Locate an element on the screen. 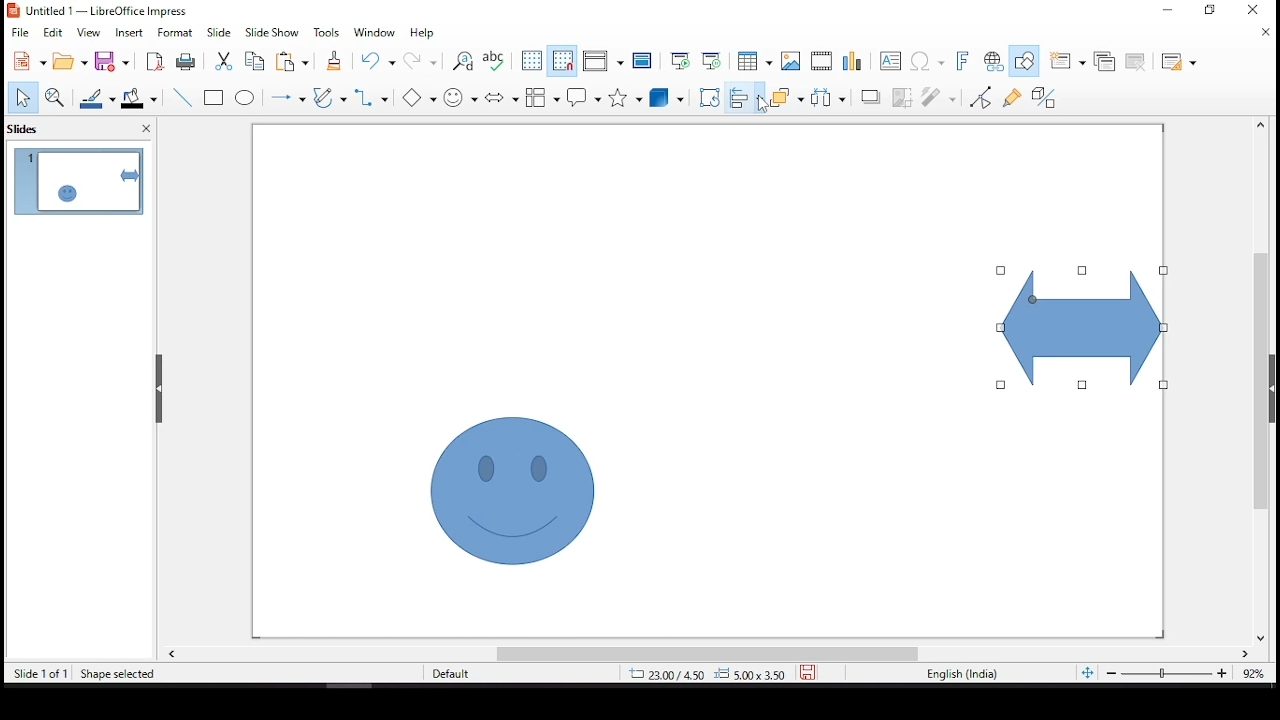  undo is located at coordinates (382, 61).